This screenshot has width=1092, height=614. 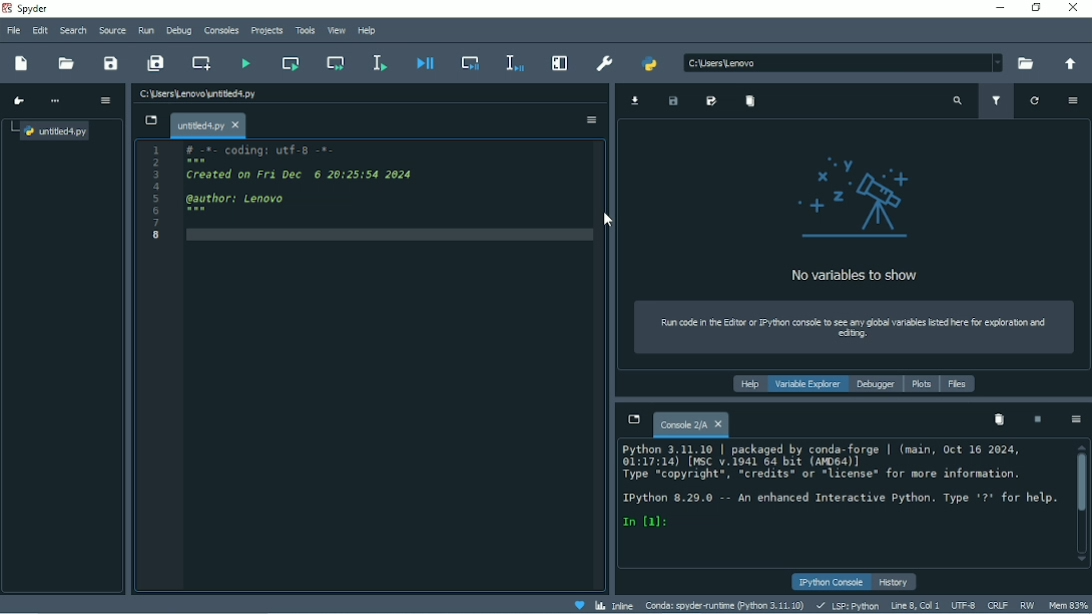 I want to click on Cursor, so click(x=607, y=221).